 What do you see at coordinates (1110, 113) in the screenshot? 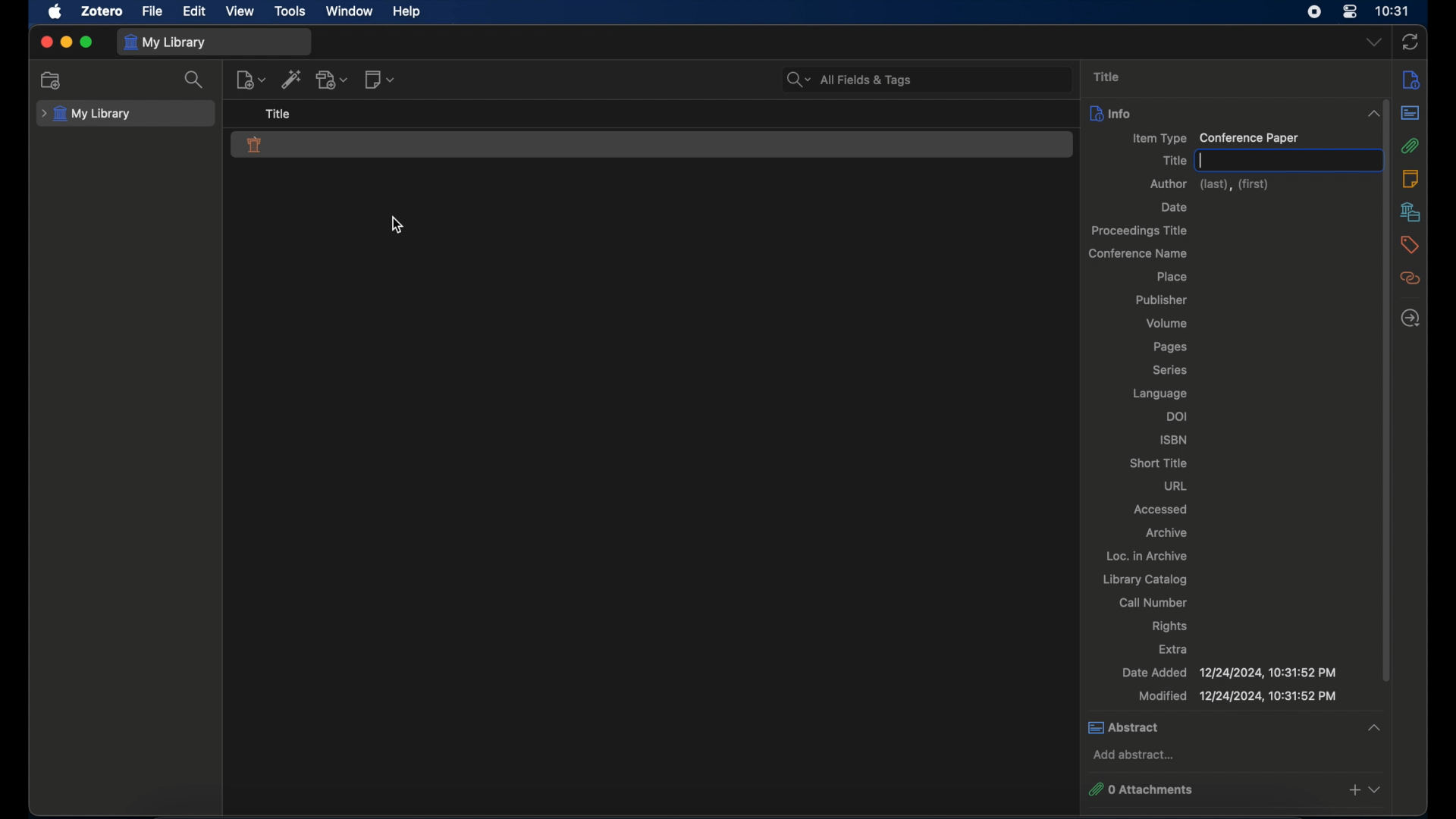
I see `info` at bounding box center [1110, 113].